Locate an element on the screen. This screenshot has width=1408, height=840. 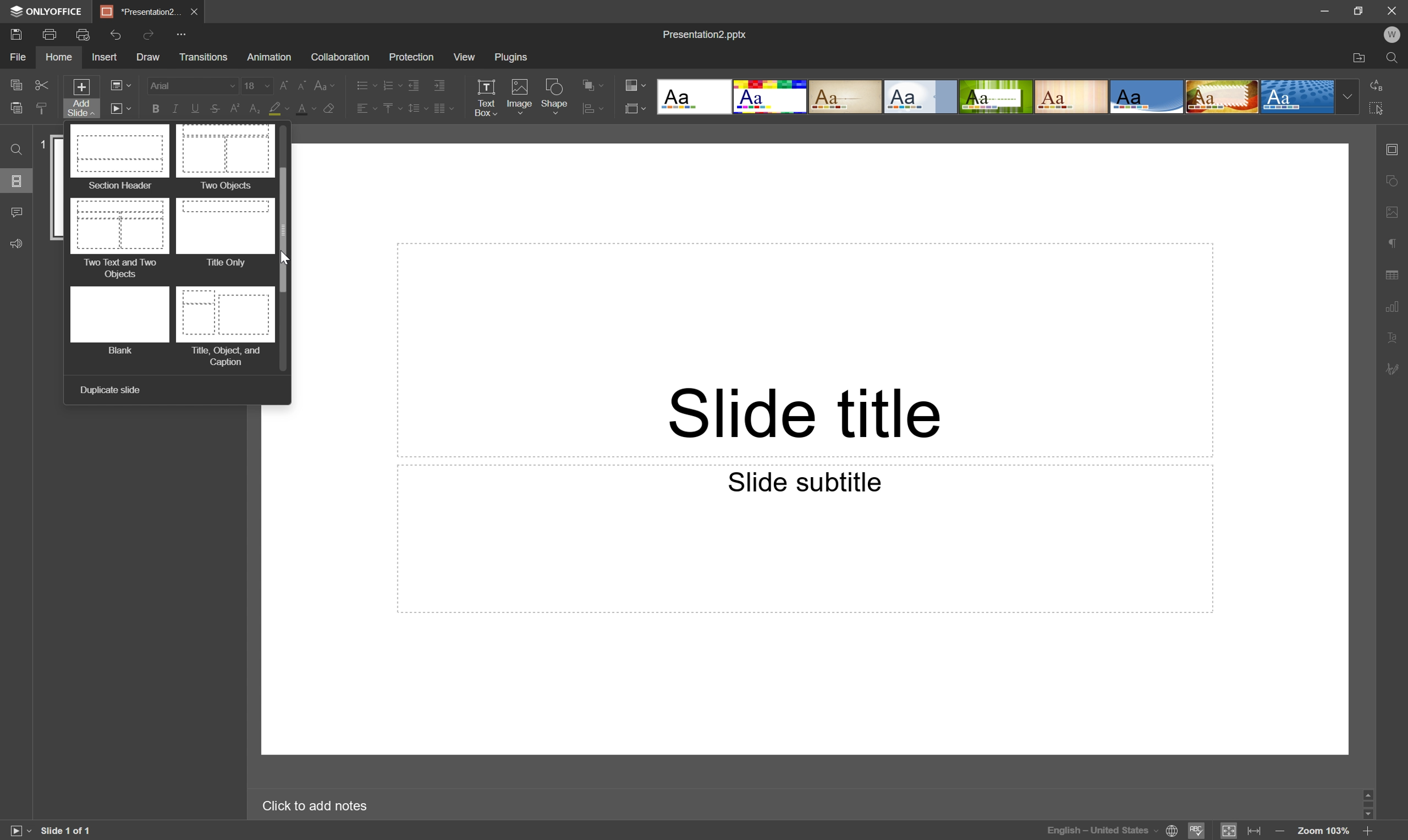
Increment font size is located at coordinates (281, 83).